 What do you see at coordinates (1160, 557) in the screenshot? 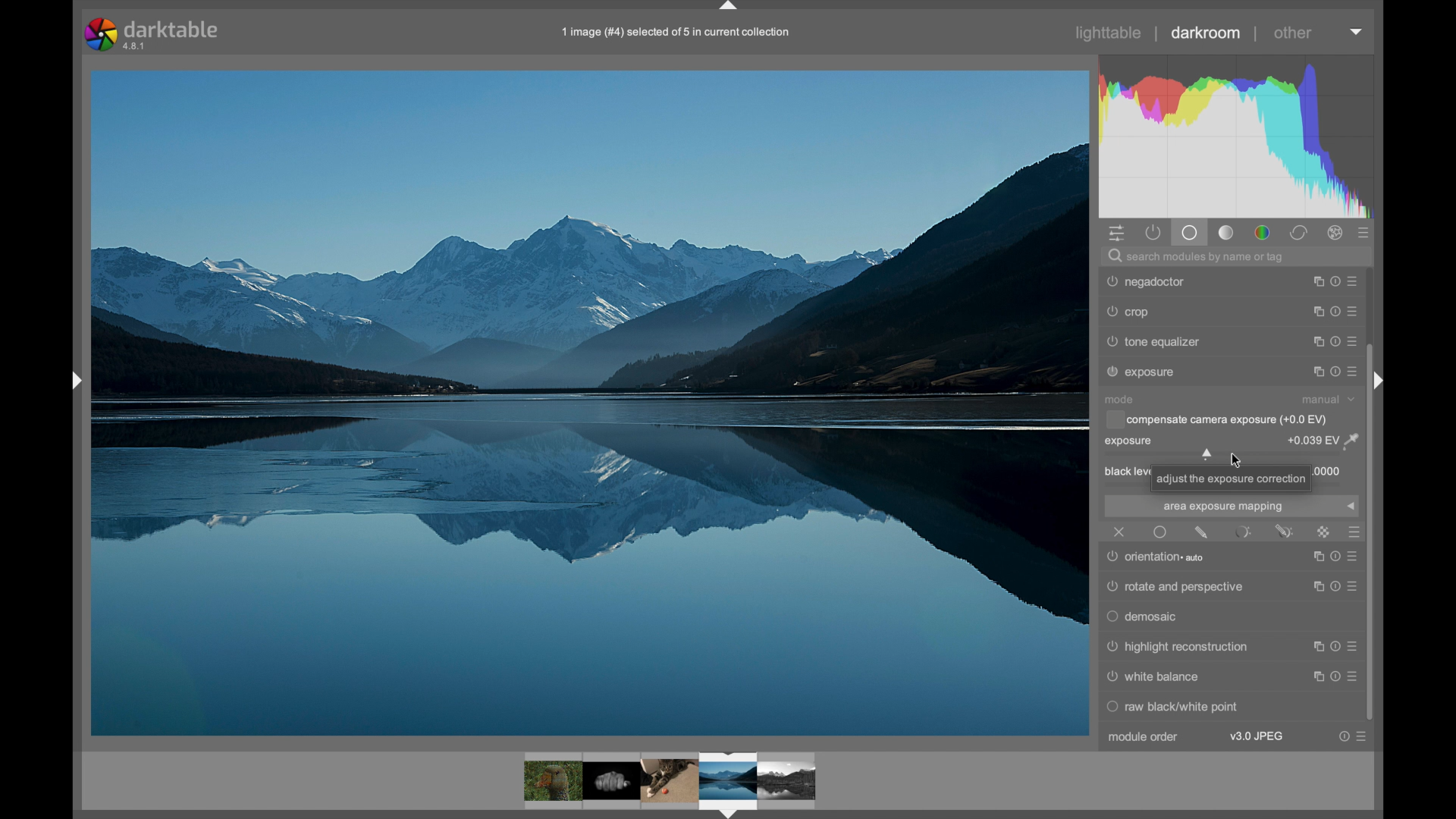
I see `orientation` at bounding box center [1160, 557].